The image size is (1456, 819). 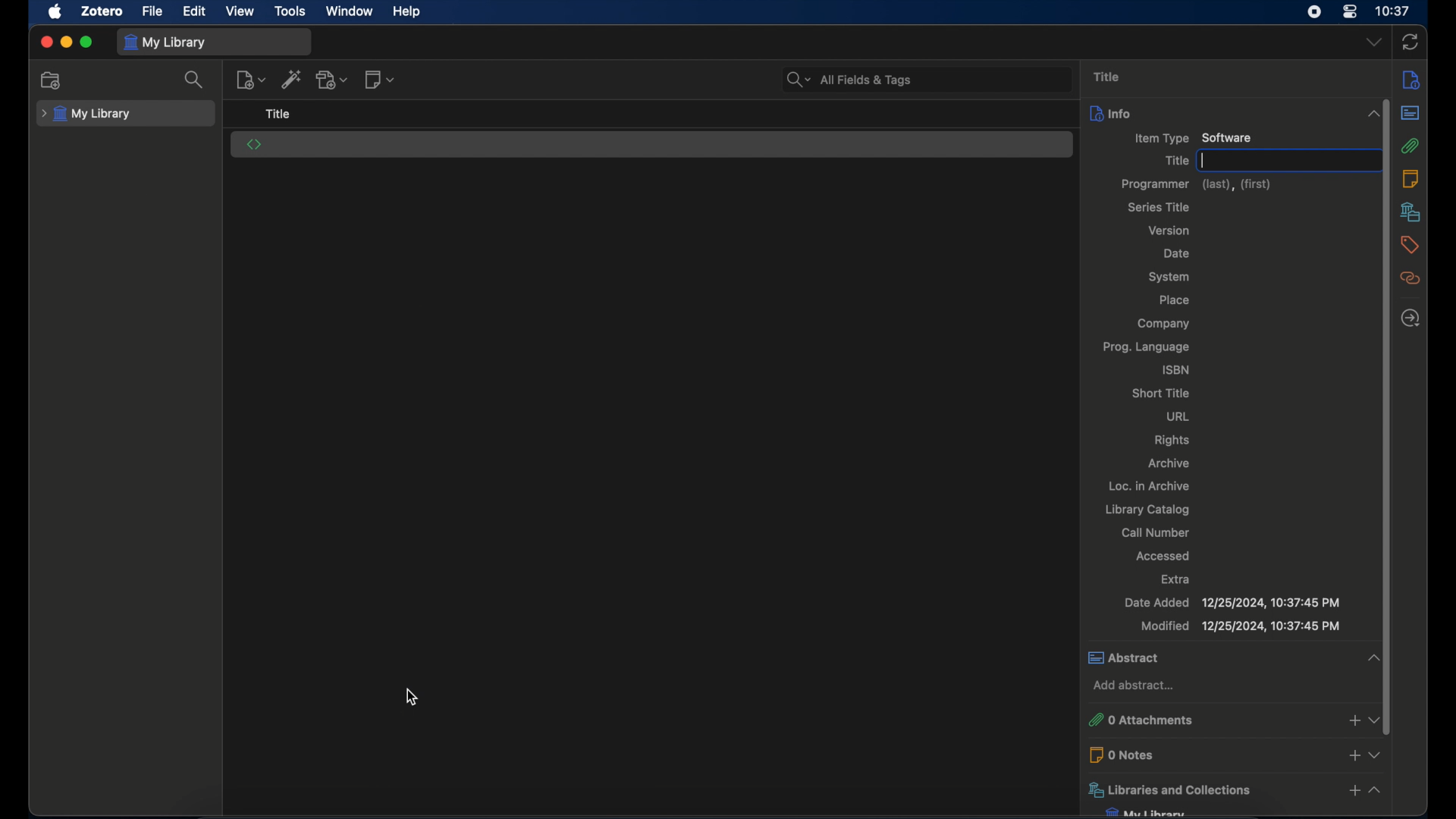 What do you see at coordinates (381, 79) in the screenshot?
I see `new note` at bounding box center [381, 79].